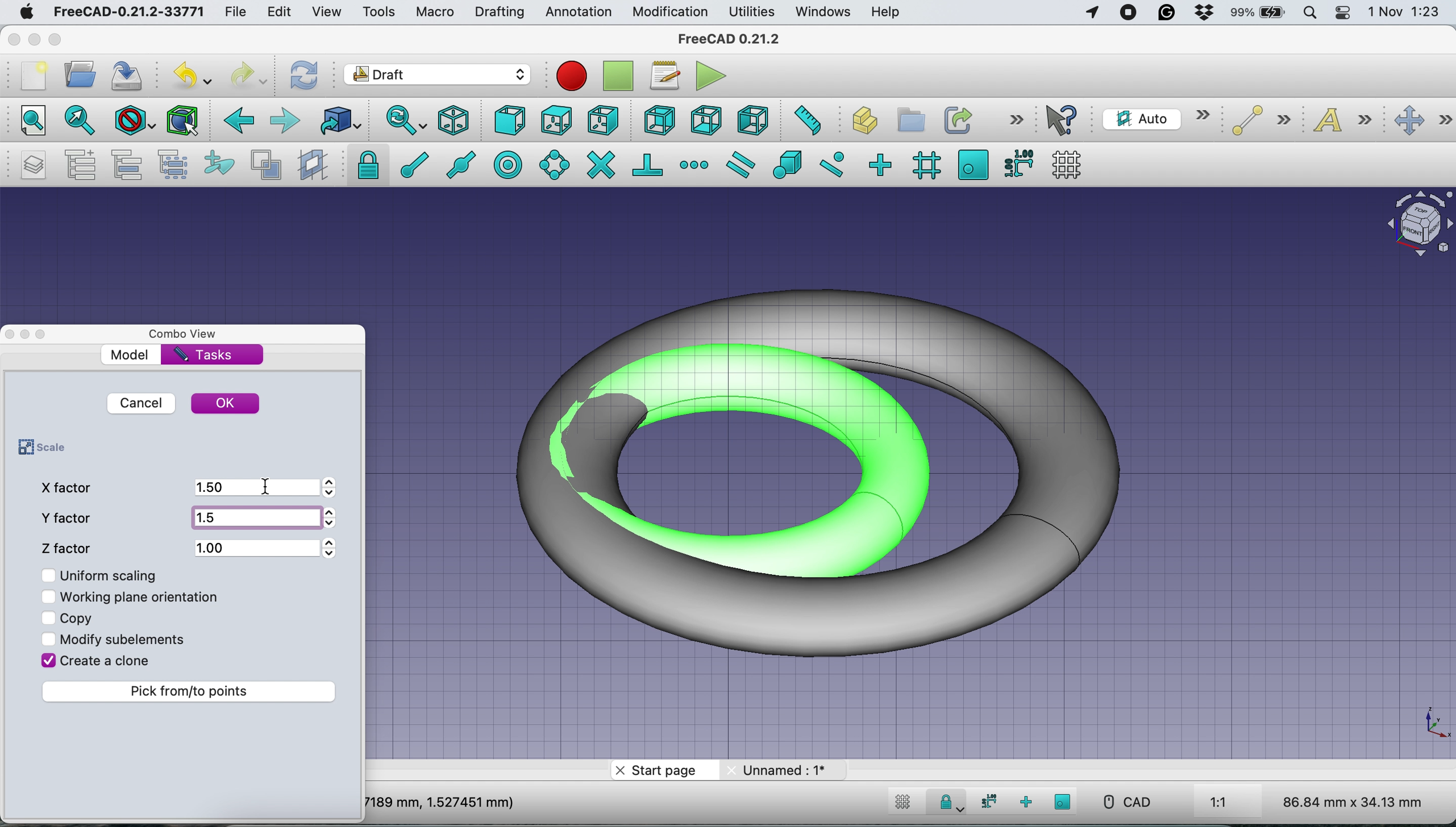 Image resolution: width=1456 pixels, height=827 pixels. Describe the element at coordinates (190, 335) in the screenshot. I see `combo view` at that location.